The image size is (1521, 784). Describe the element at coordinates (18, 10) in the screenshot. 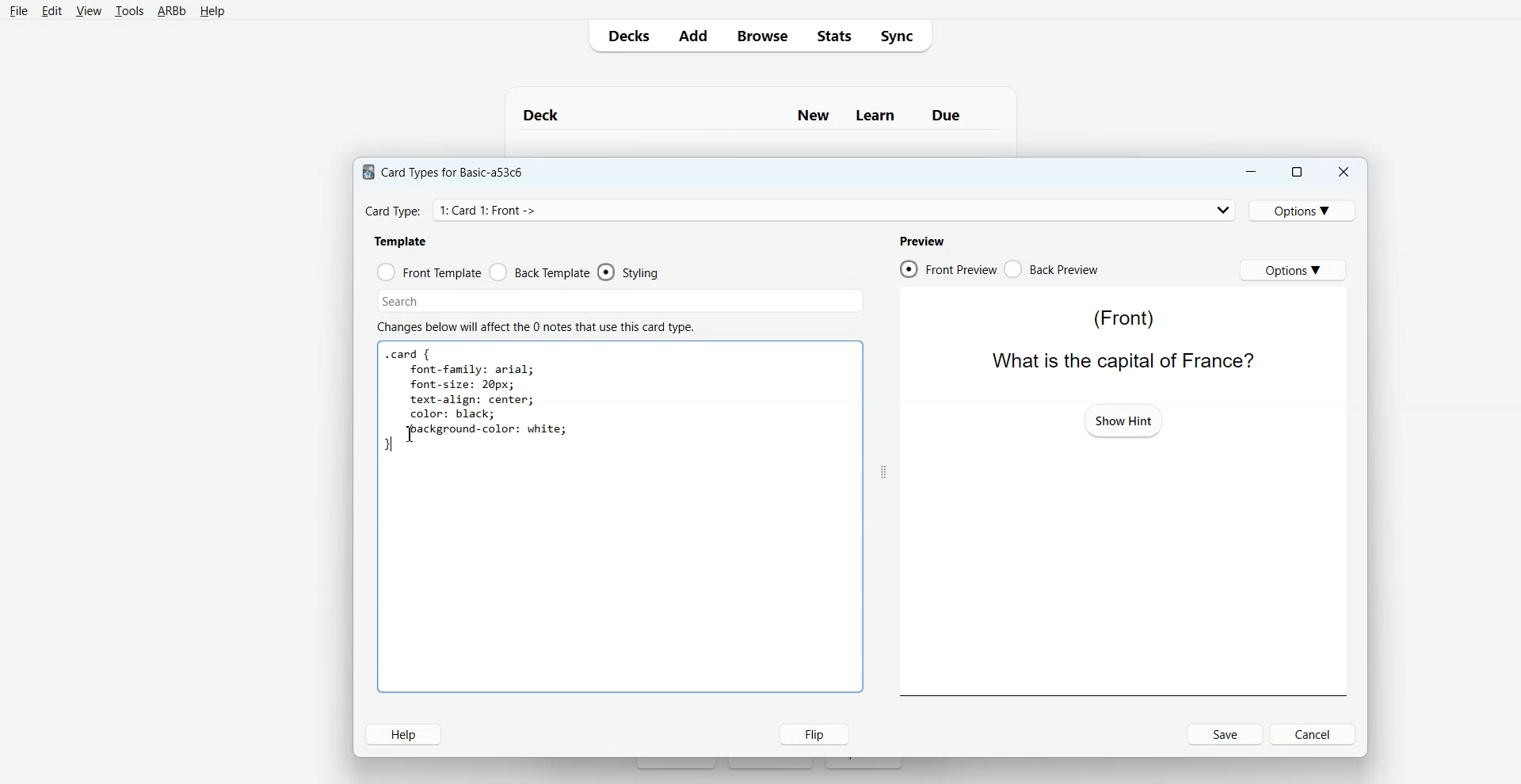

I see `File` at that location.